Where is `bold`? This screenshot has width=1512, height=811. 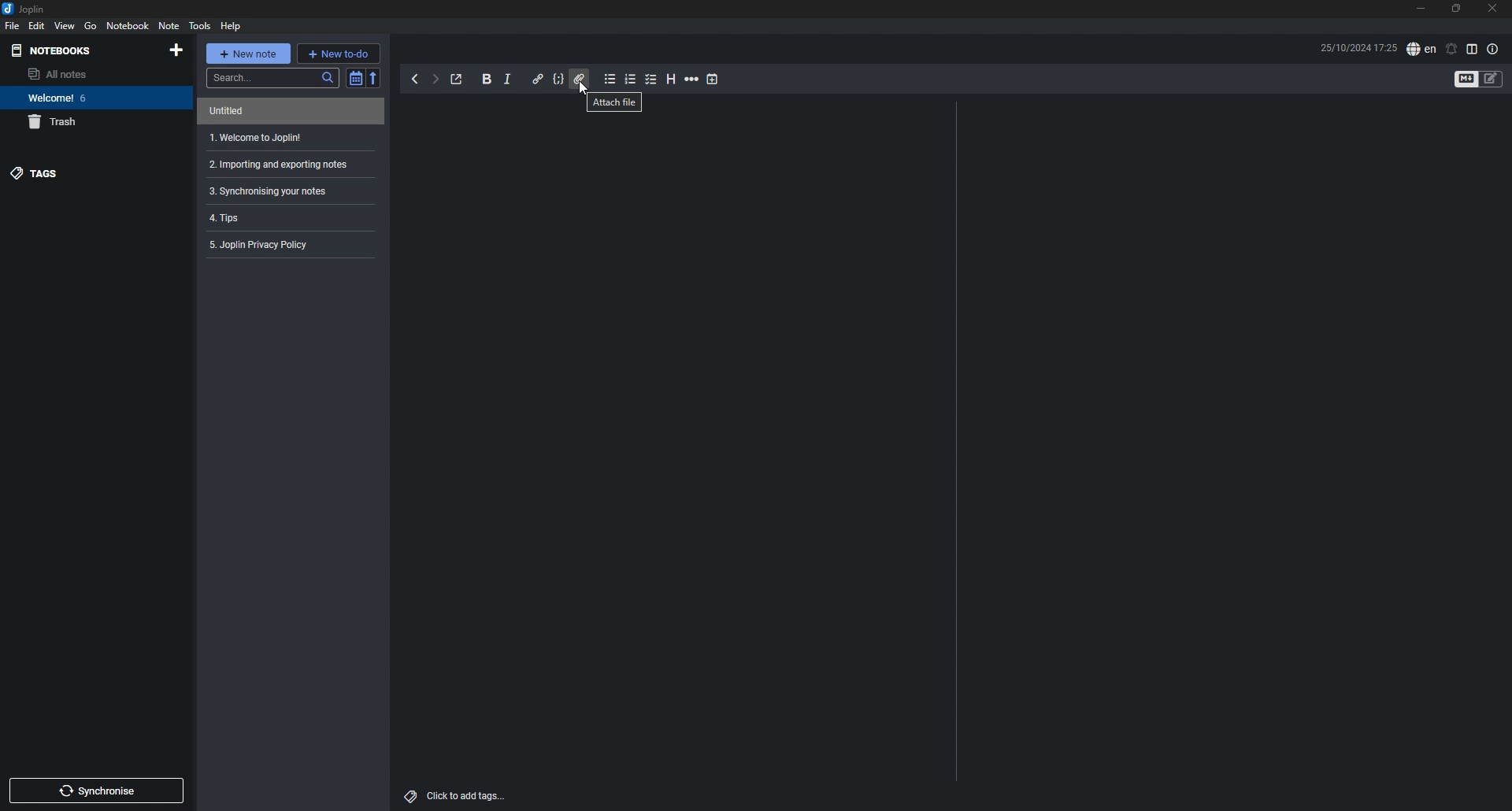 bold is located at coordinates (487, 79).